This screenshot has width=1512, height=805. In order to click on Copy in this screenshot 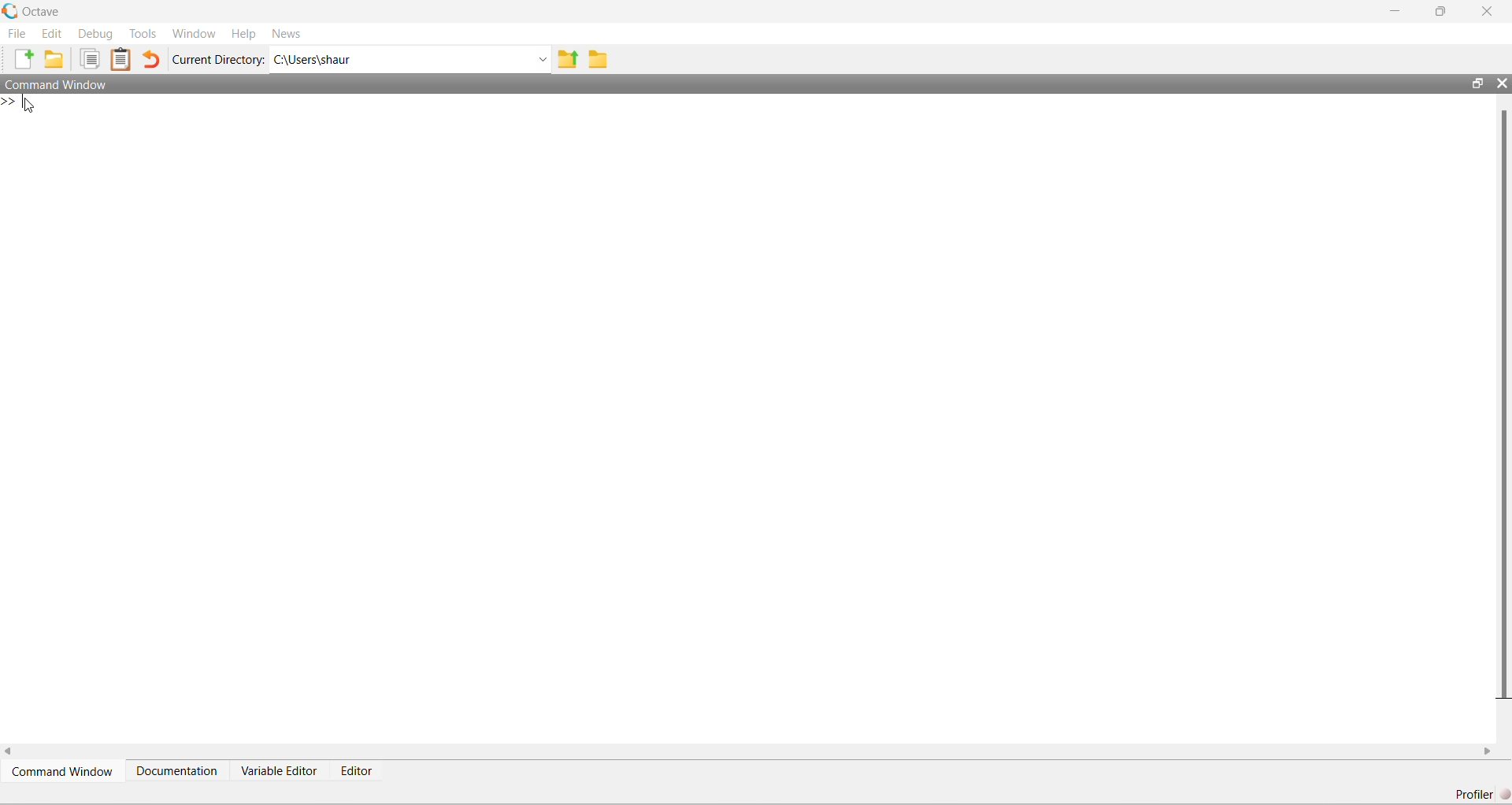, I will do `click(90, 59)`.